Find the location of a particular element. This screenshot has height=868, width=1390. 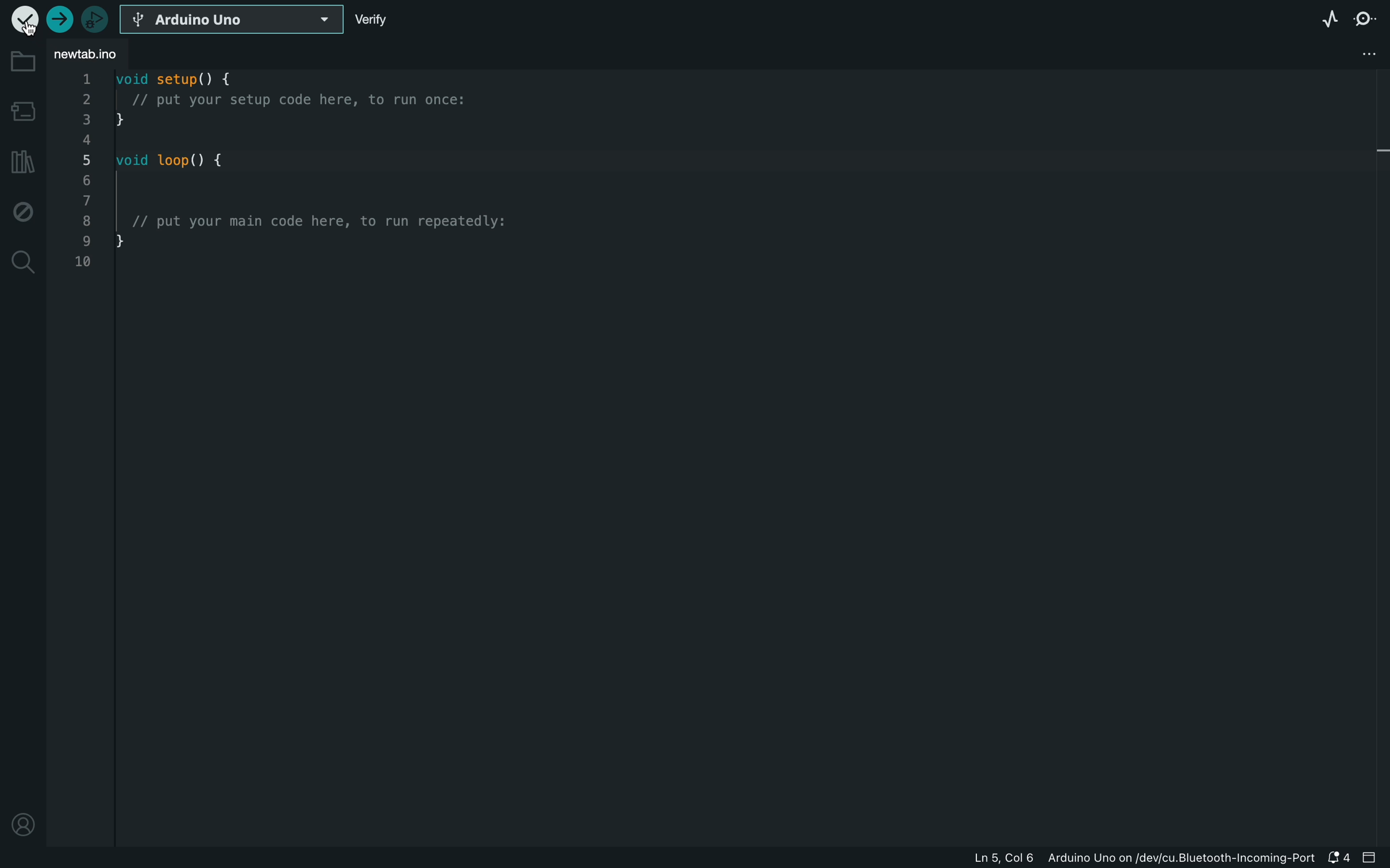

verify is located at coordinates (24, 20).